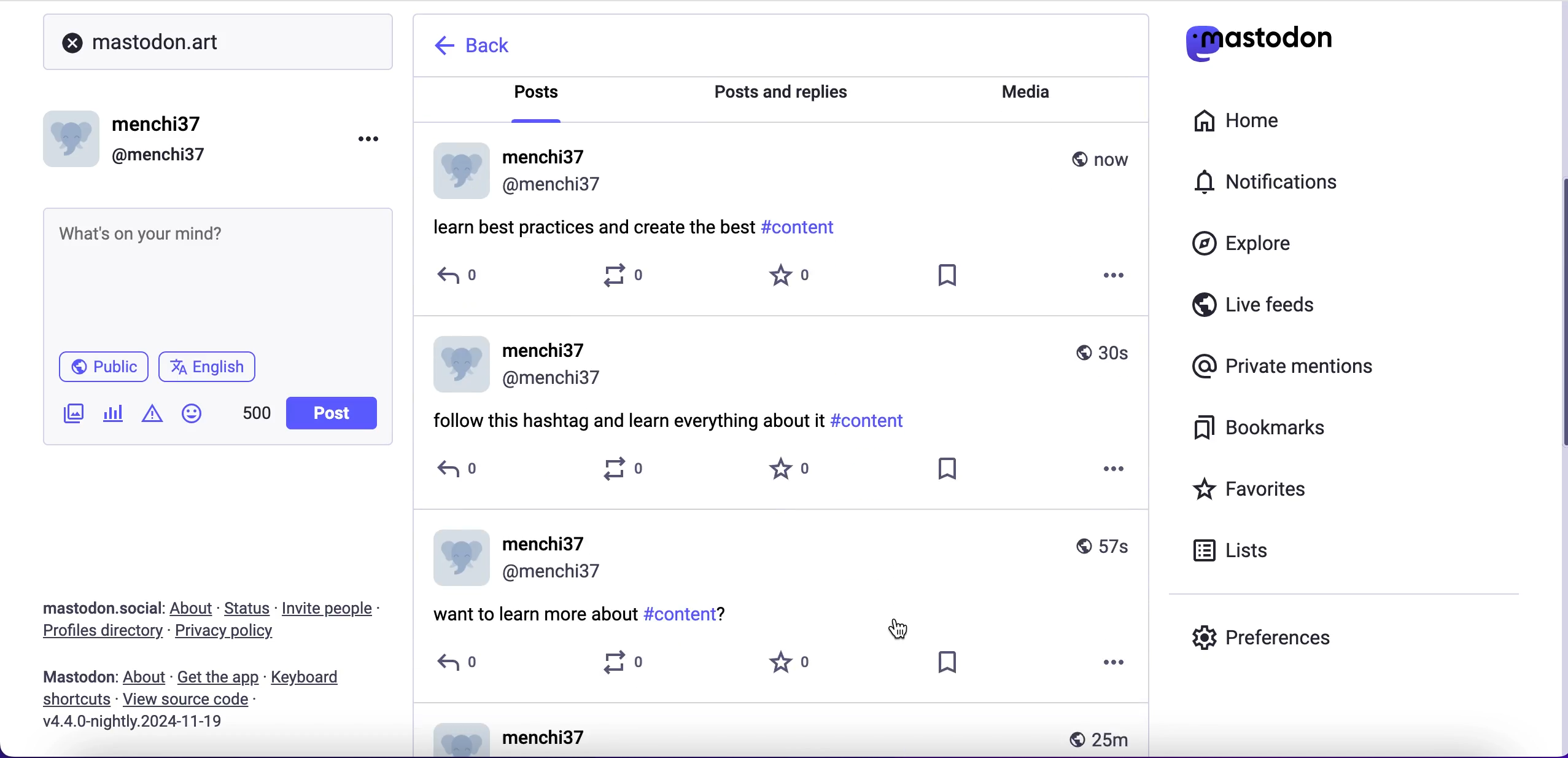  Describe the element at coordinates (219, 678) in the screenshot. I see `get the app` at that location.